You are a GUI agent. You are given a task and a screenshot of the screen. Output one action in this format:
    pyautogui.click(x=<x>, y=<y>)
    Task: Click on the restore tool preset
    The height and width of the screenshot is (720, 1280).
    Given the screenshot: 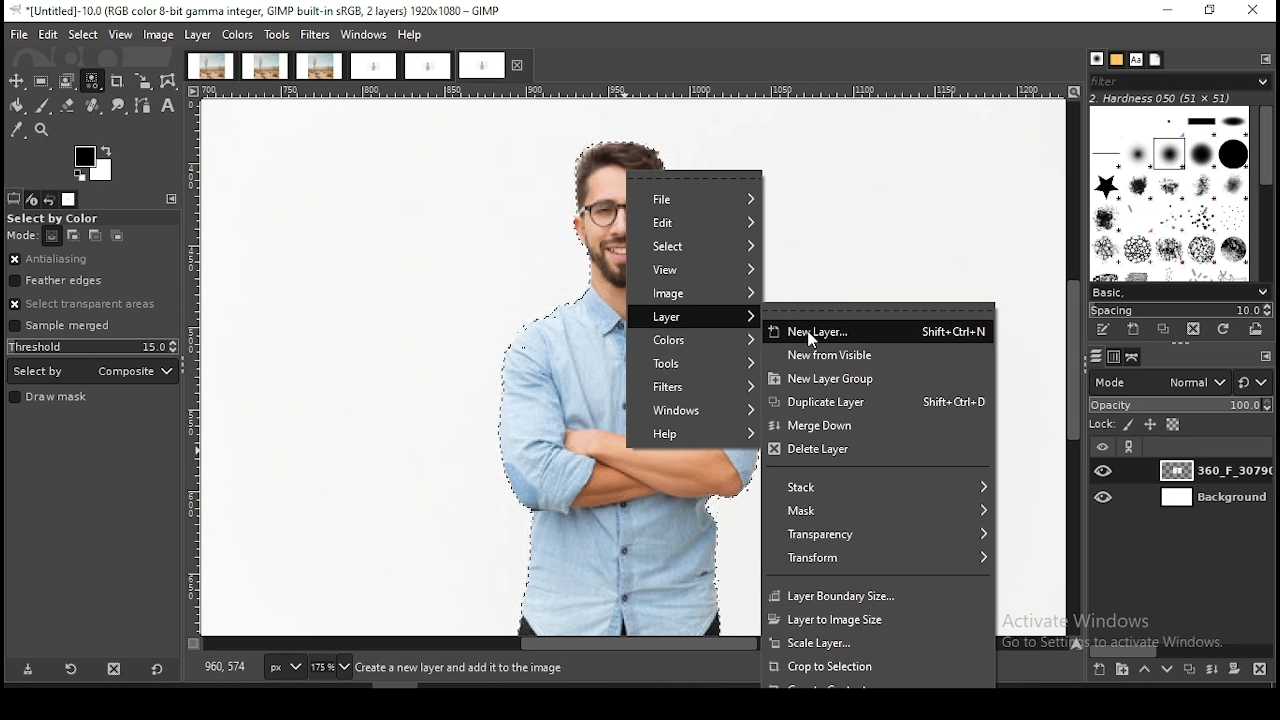 What is the action you would take?
    pyautogui.click(x=73, y=668)
    